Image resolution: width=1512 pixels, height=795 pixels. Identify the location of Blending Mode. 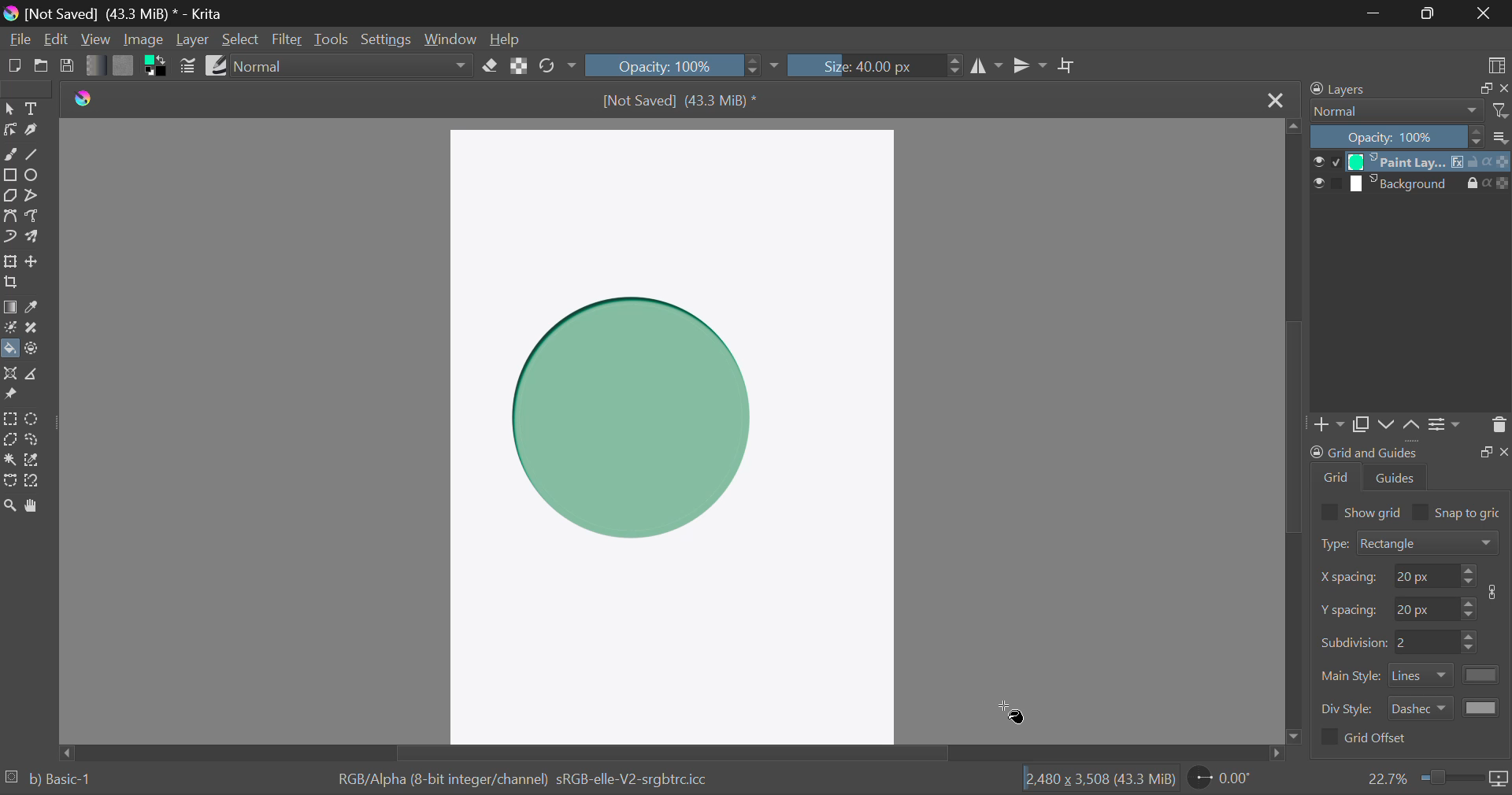
(353, 66).